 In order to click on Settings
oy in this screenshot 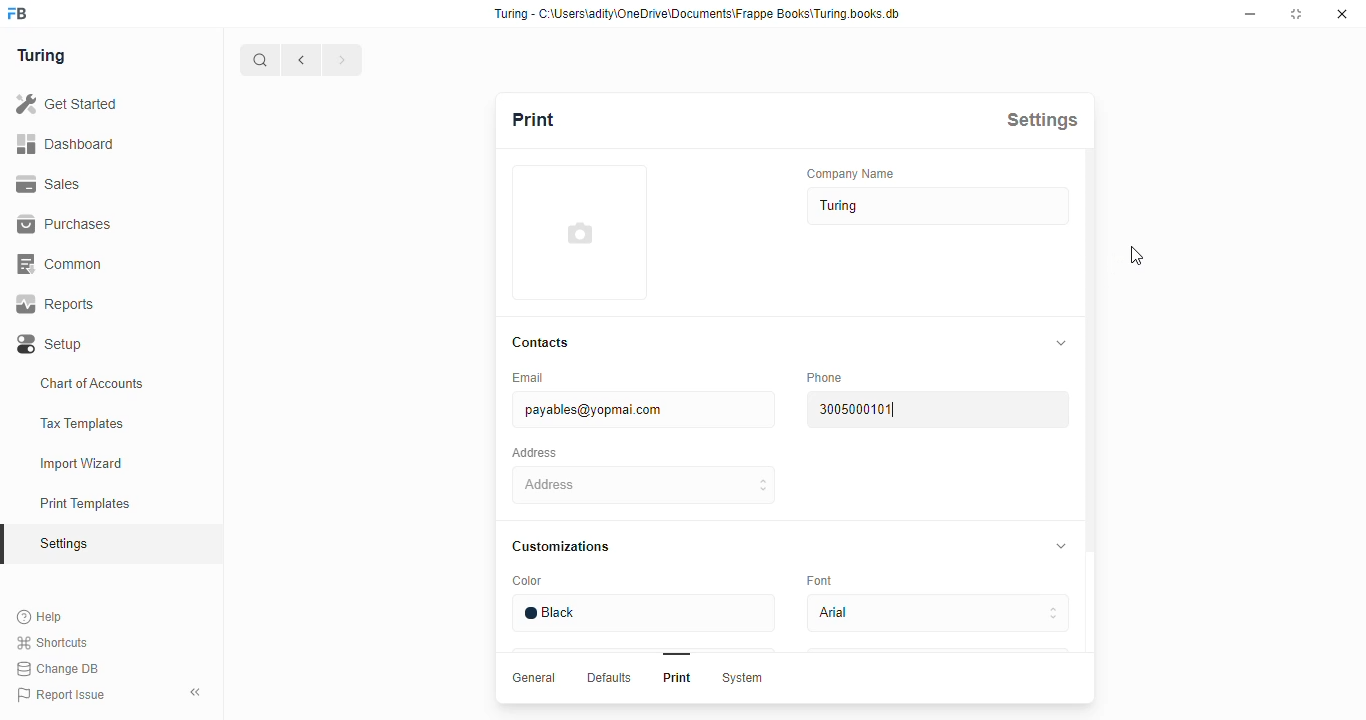, I will do `click(98, 546)`.